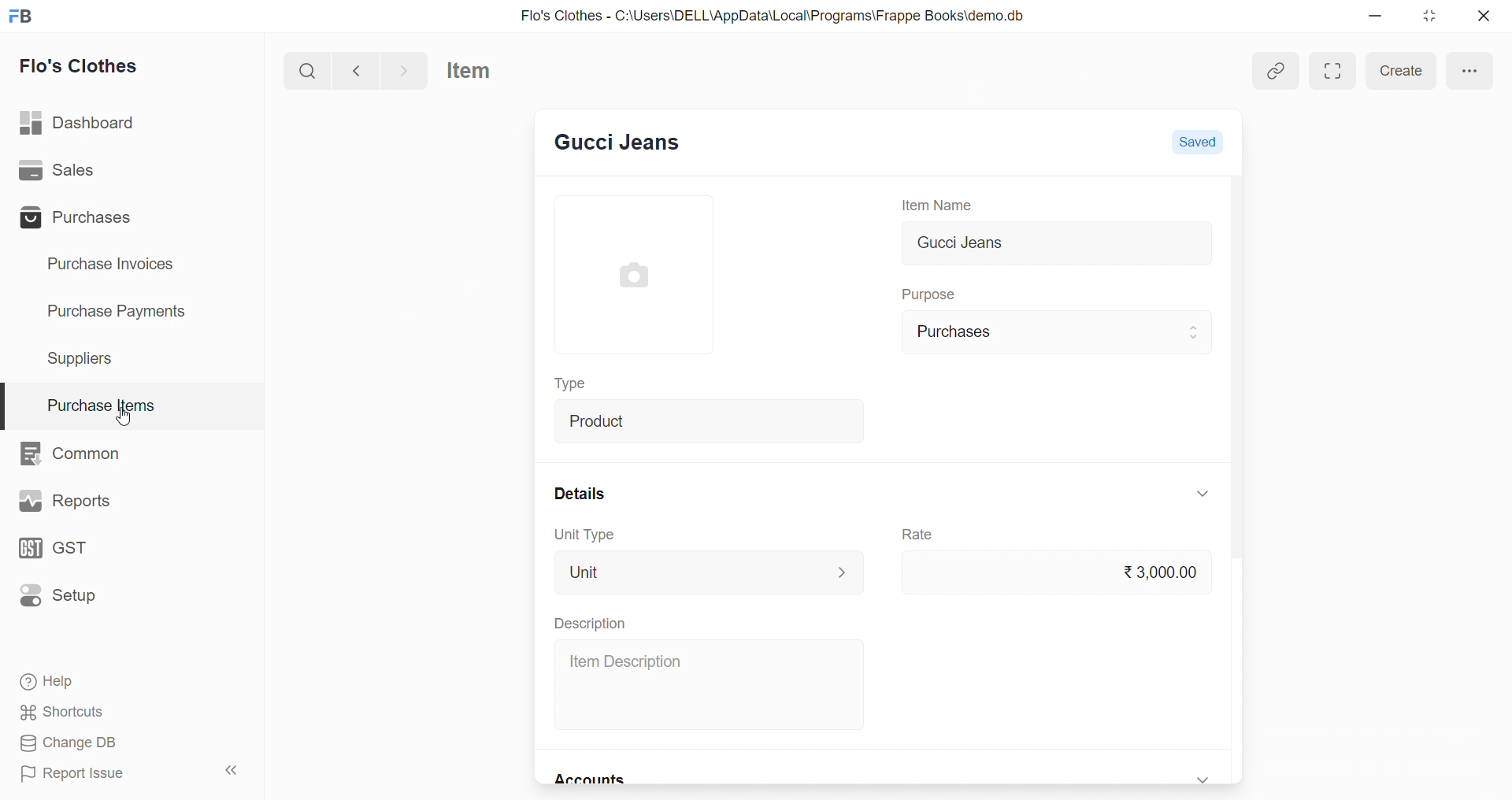 The height and width of the screenshot is (800, 1512). Describe the element at coordinates (633, 278) in the screenshot. I see `image` at that location.